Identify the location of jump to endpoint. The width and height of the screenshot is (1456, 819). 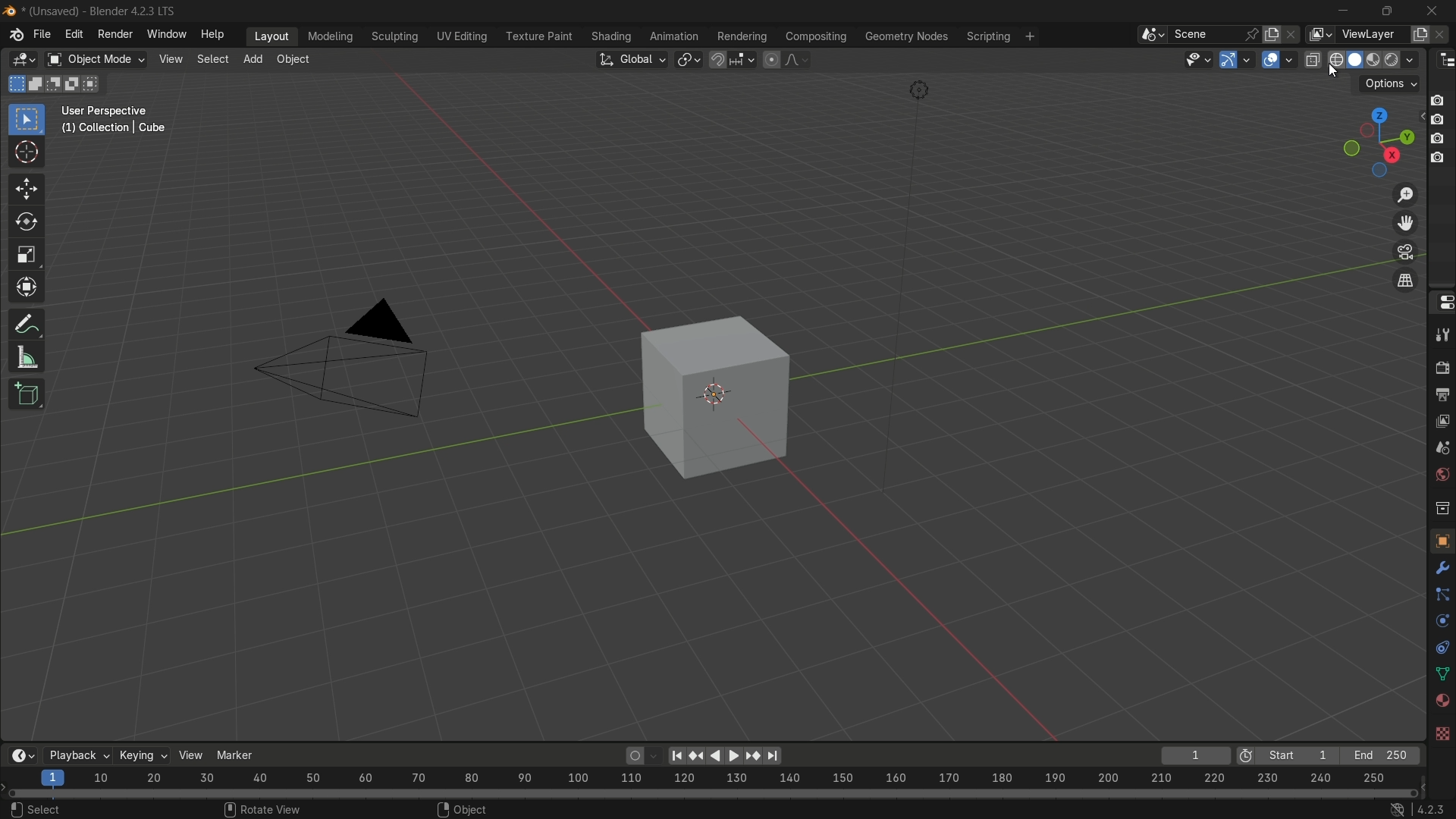
(773, 756).